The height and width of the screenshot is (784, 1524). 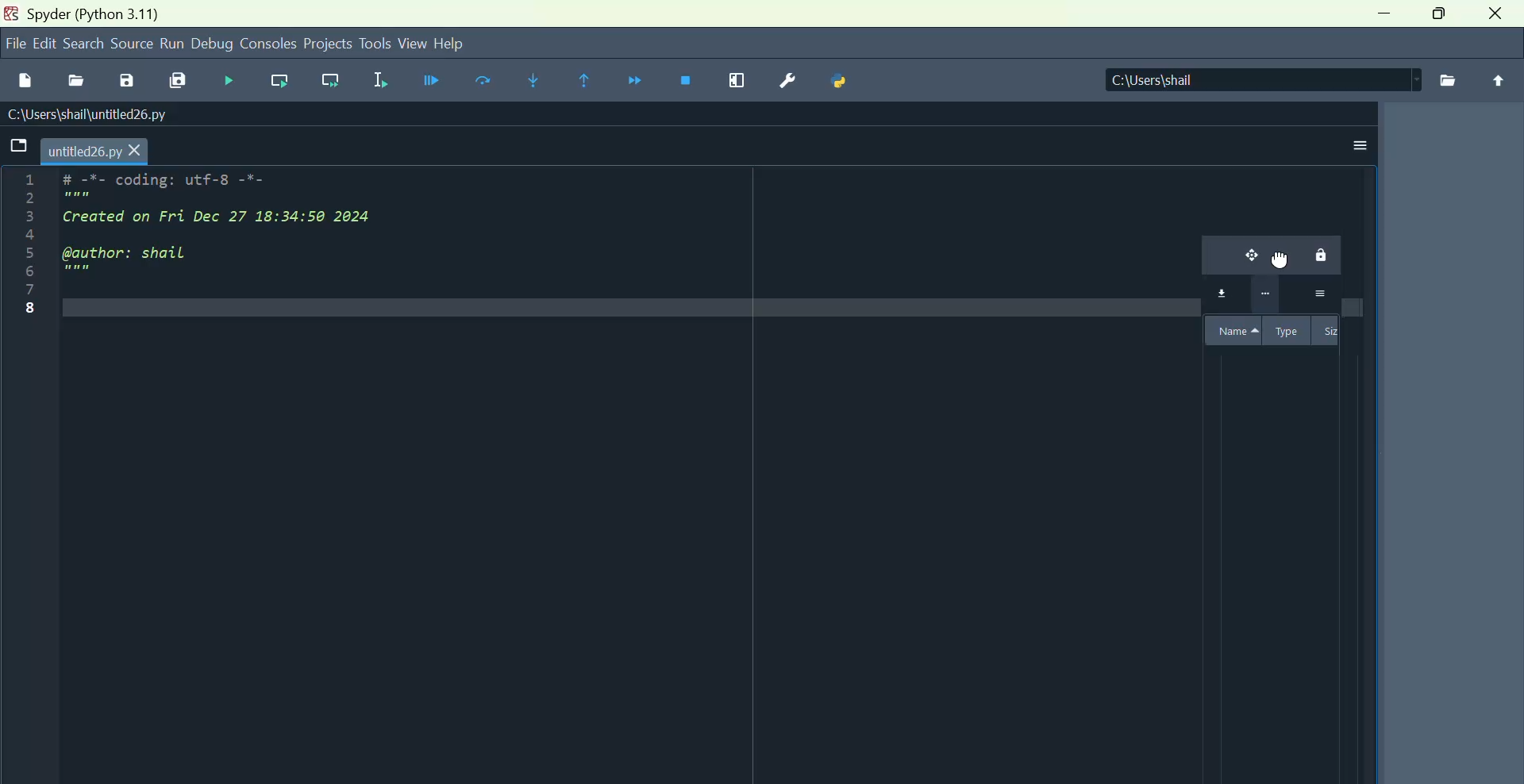 I want to click on tools, so click(x=375, y=43).